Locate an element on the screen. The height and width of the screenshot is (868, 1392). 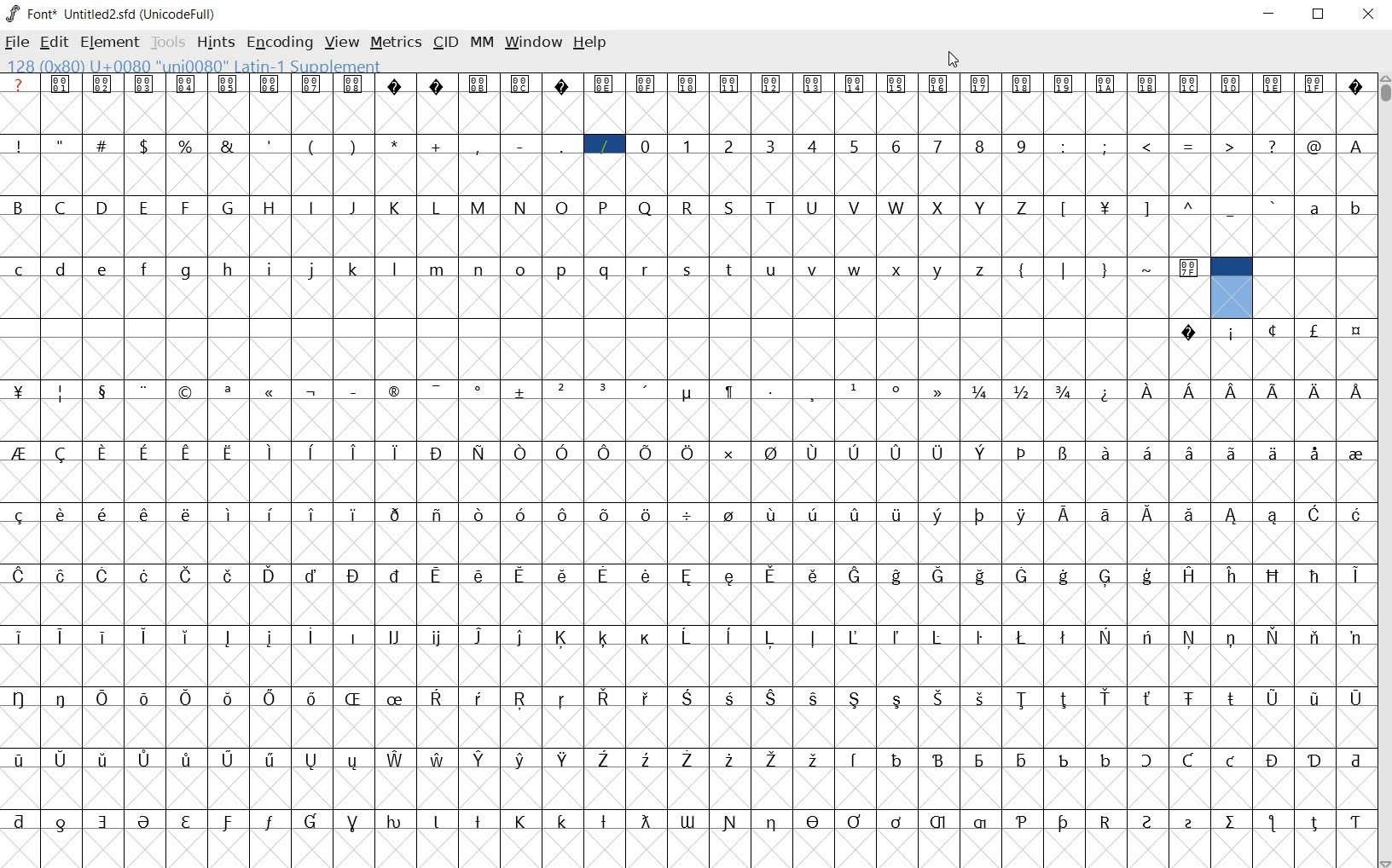
Symbol is located at coordinates (1314, 512).